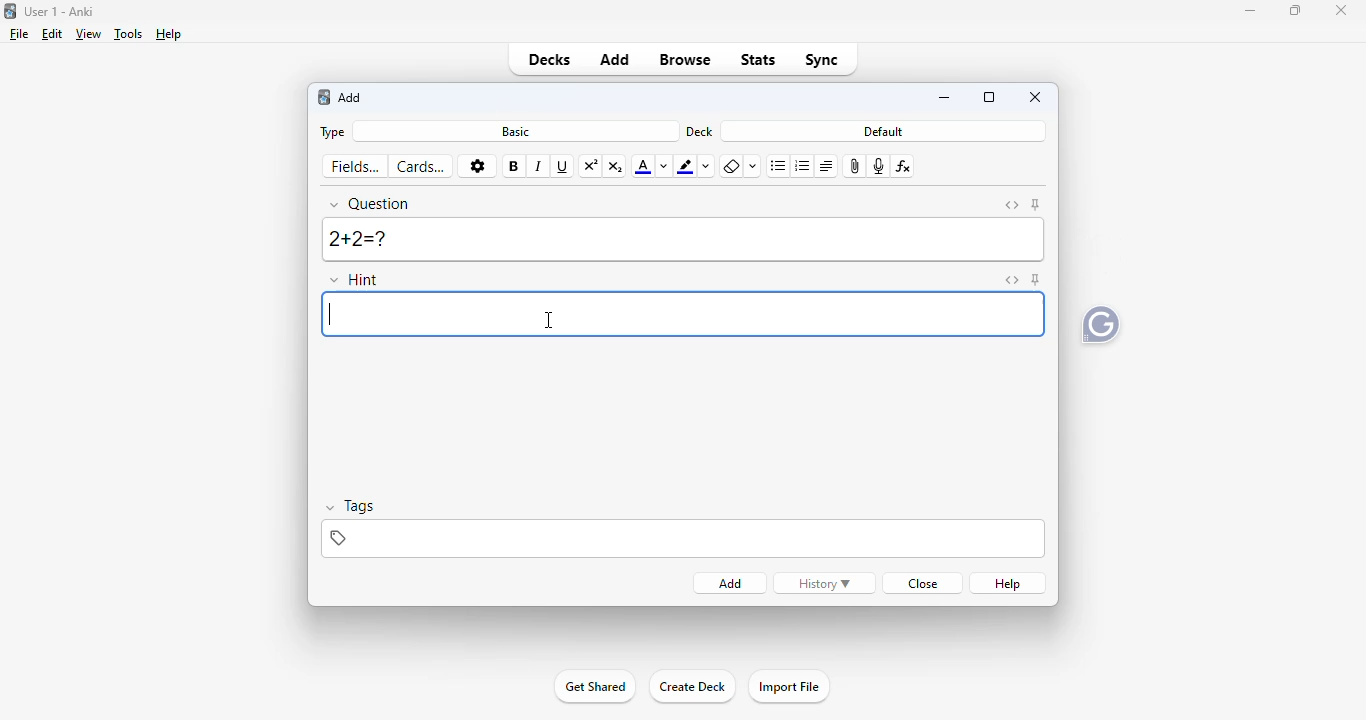  What do you see at coordinates (477, 166) in the screenshot?
I see `options` at bounding box center [477, 166].